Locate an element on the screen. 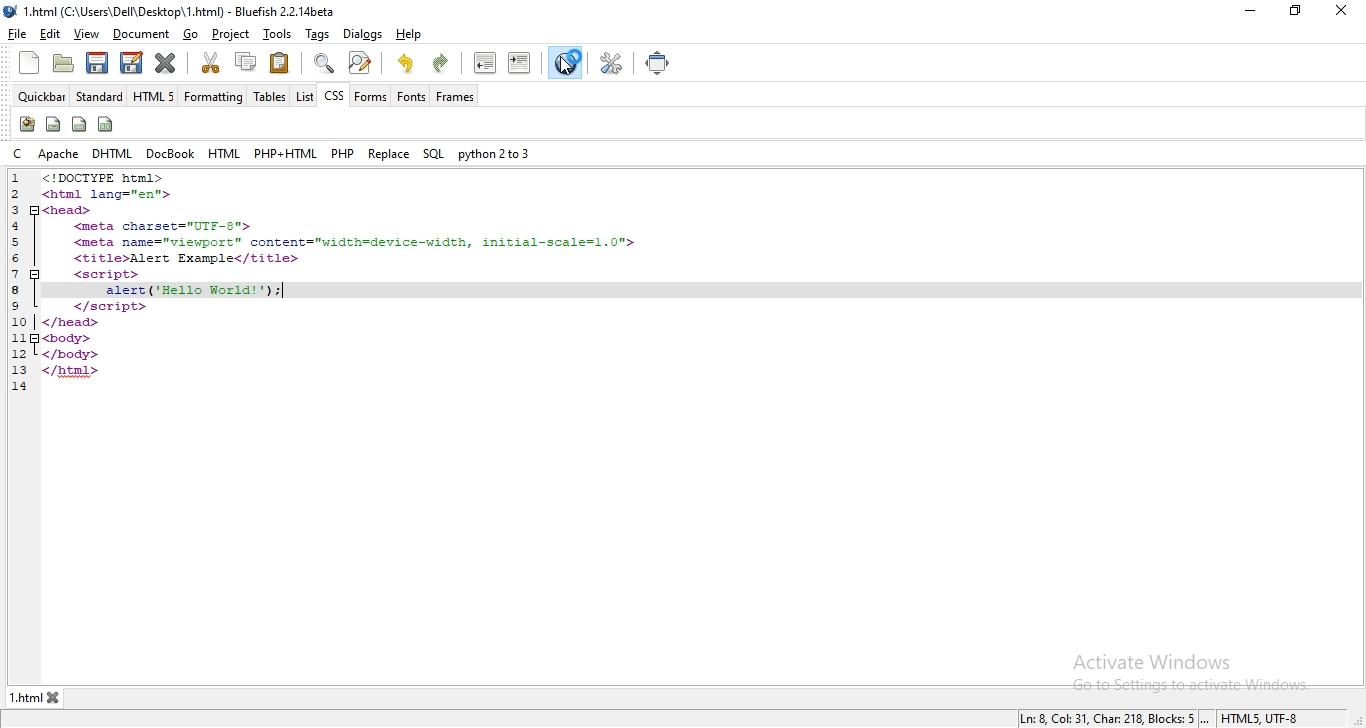 This screenshot has height=728, width=1366. </html> is located at coordinates (73, 370).